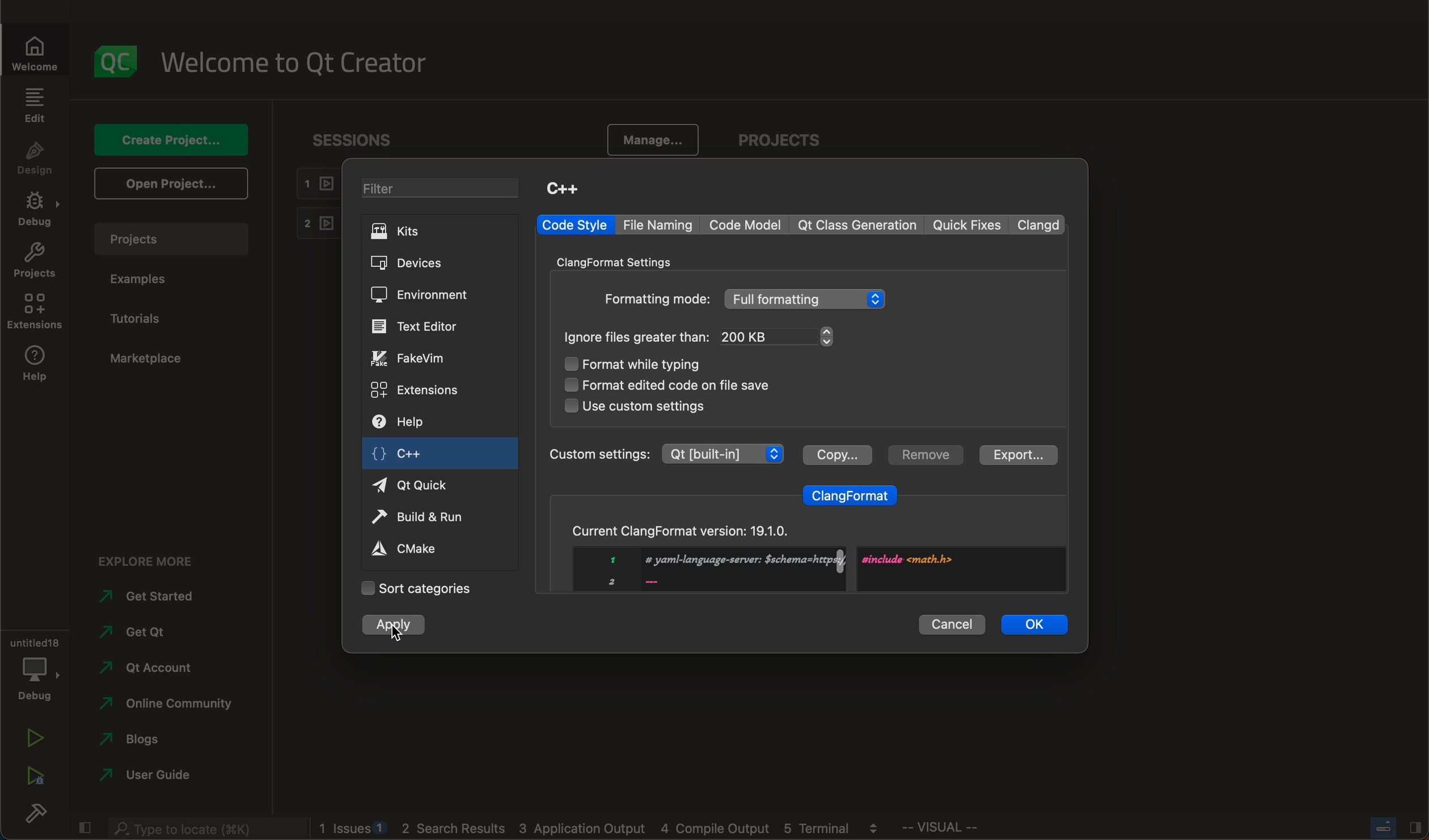 This screenshot has width=1429, height=840. I want to click on editor, so click(417, 326).